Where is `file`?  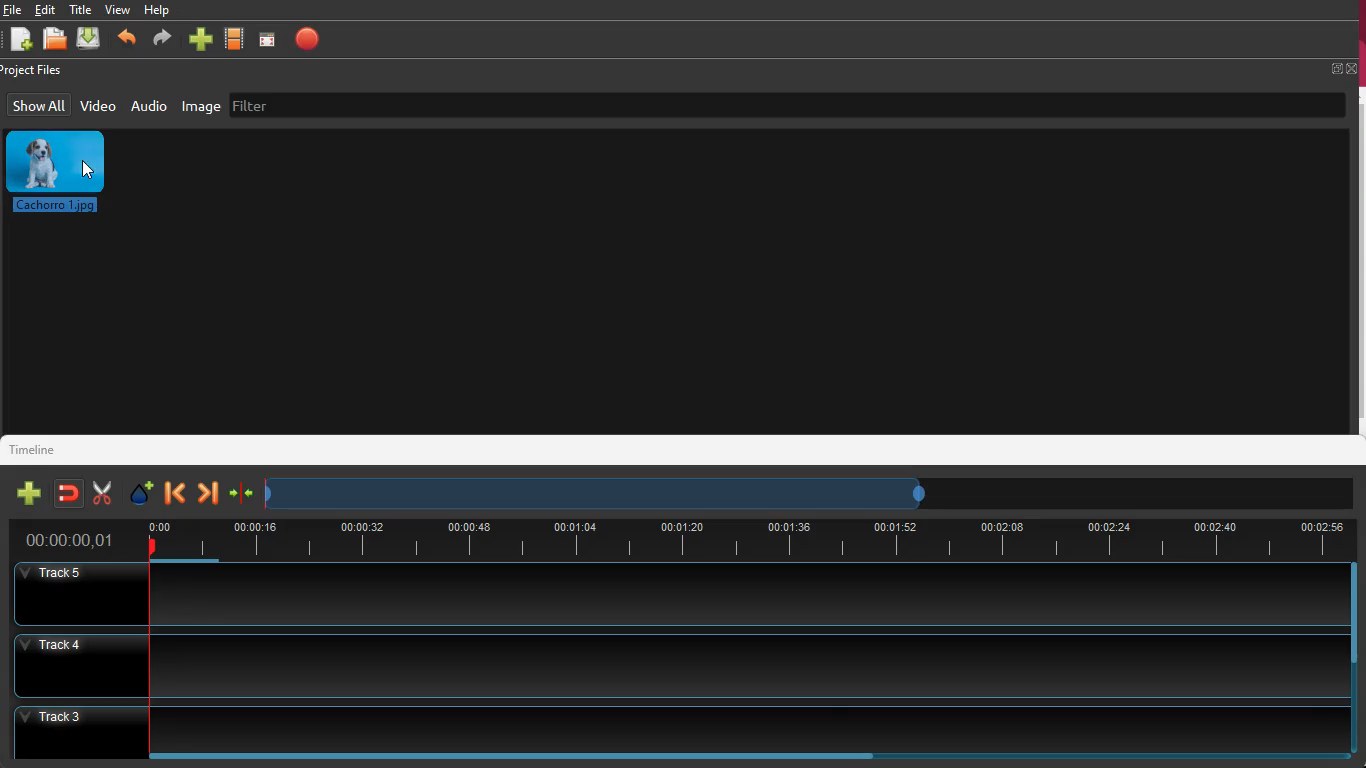 file is located at coordinates (11, 11).